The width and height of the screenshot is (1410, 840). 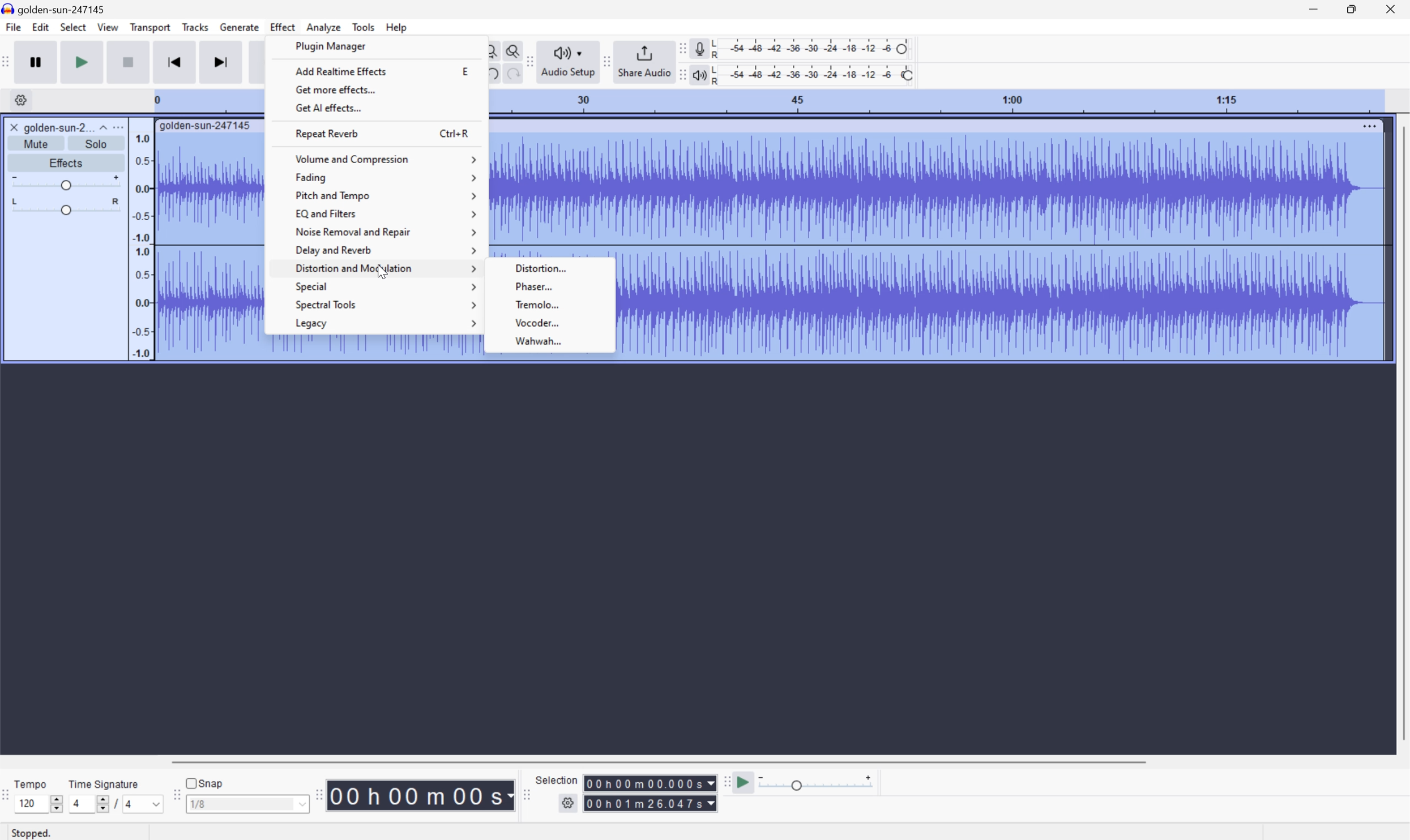 What do you see at coordinates (246, 804) in the screenshot?
I see `1/8` at bounding box center [246, 804].